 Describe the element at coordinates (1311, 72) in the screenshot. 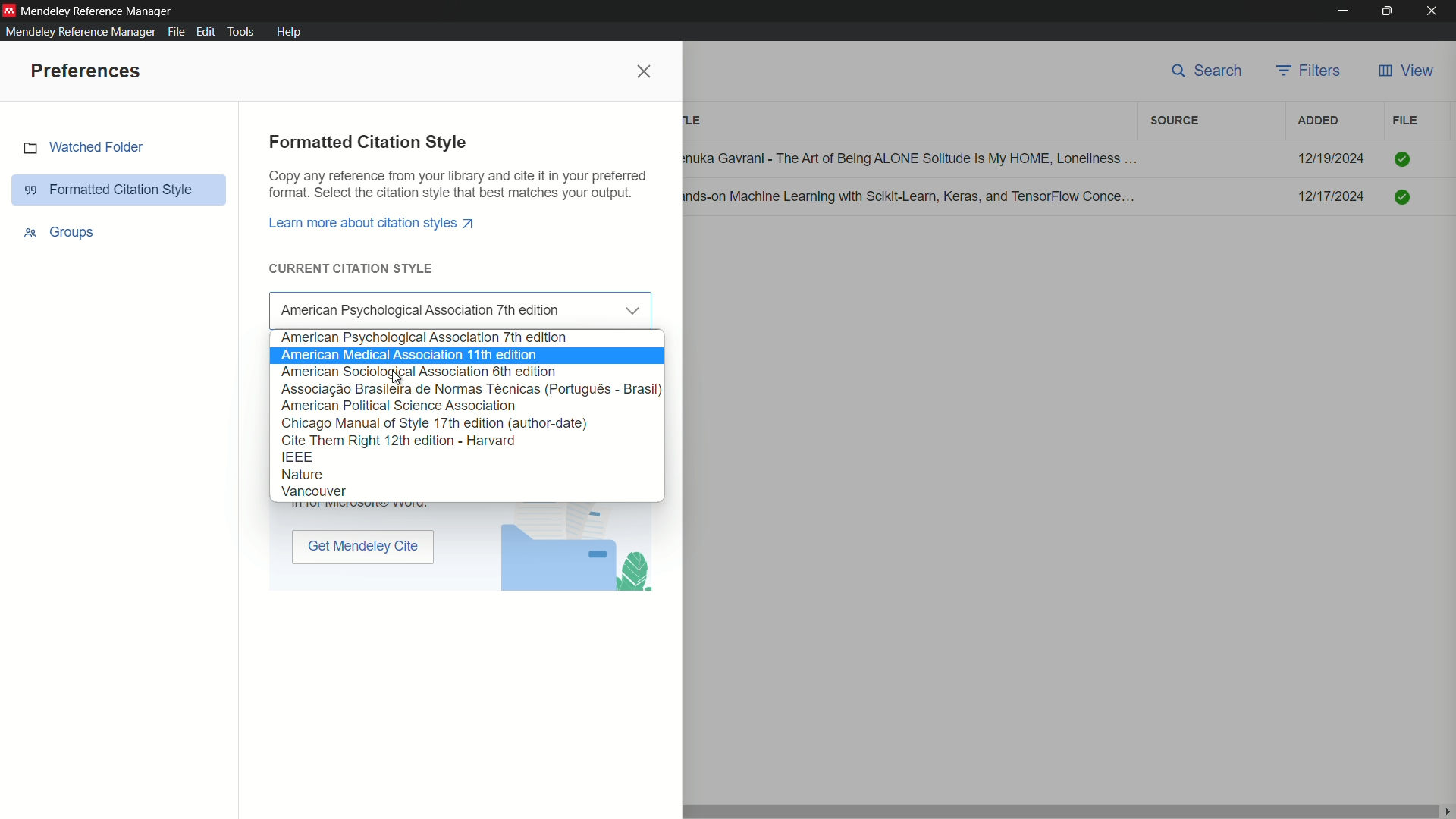

I see `filters` at that location.